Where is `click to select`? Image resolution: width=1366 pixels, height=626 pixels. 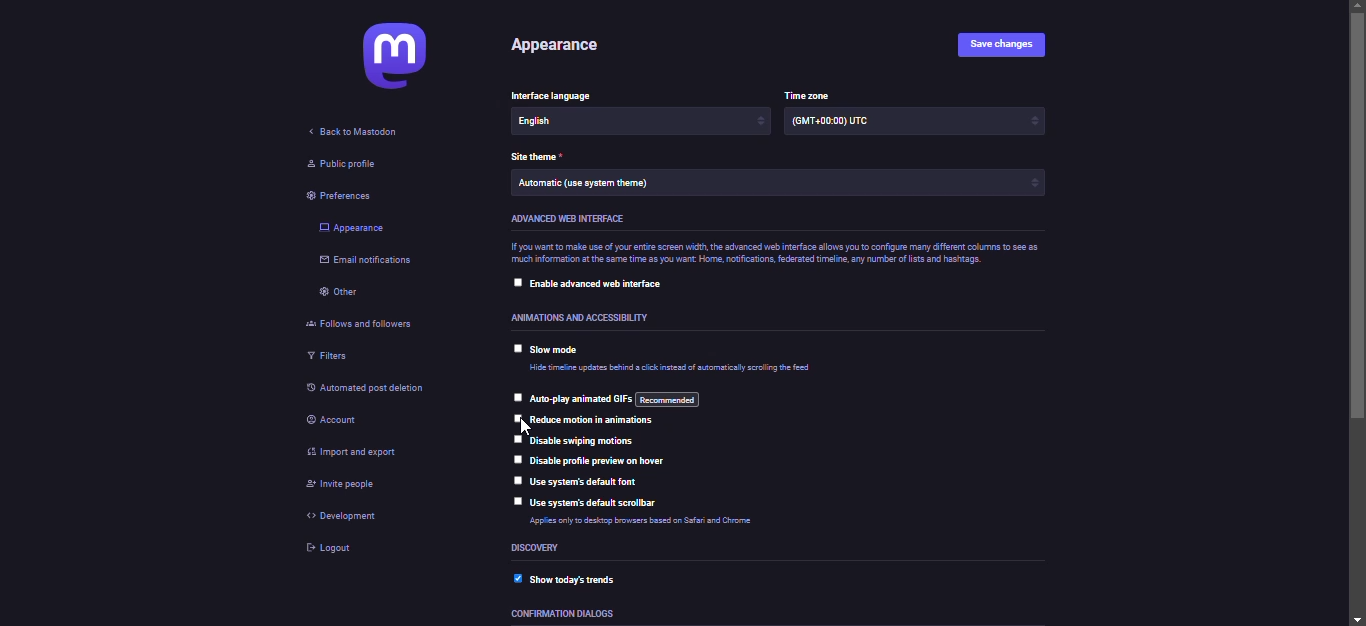
click to select is located at coordinates (516, 282).